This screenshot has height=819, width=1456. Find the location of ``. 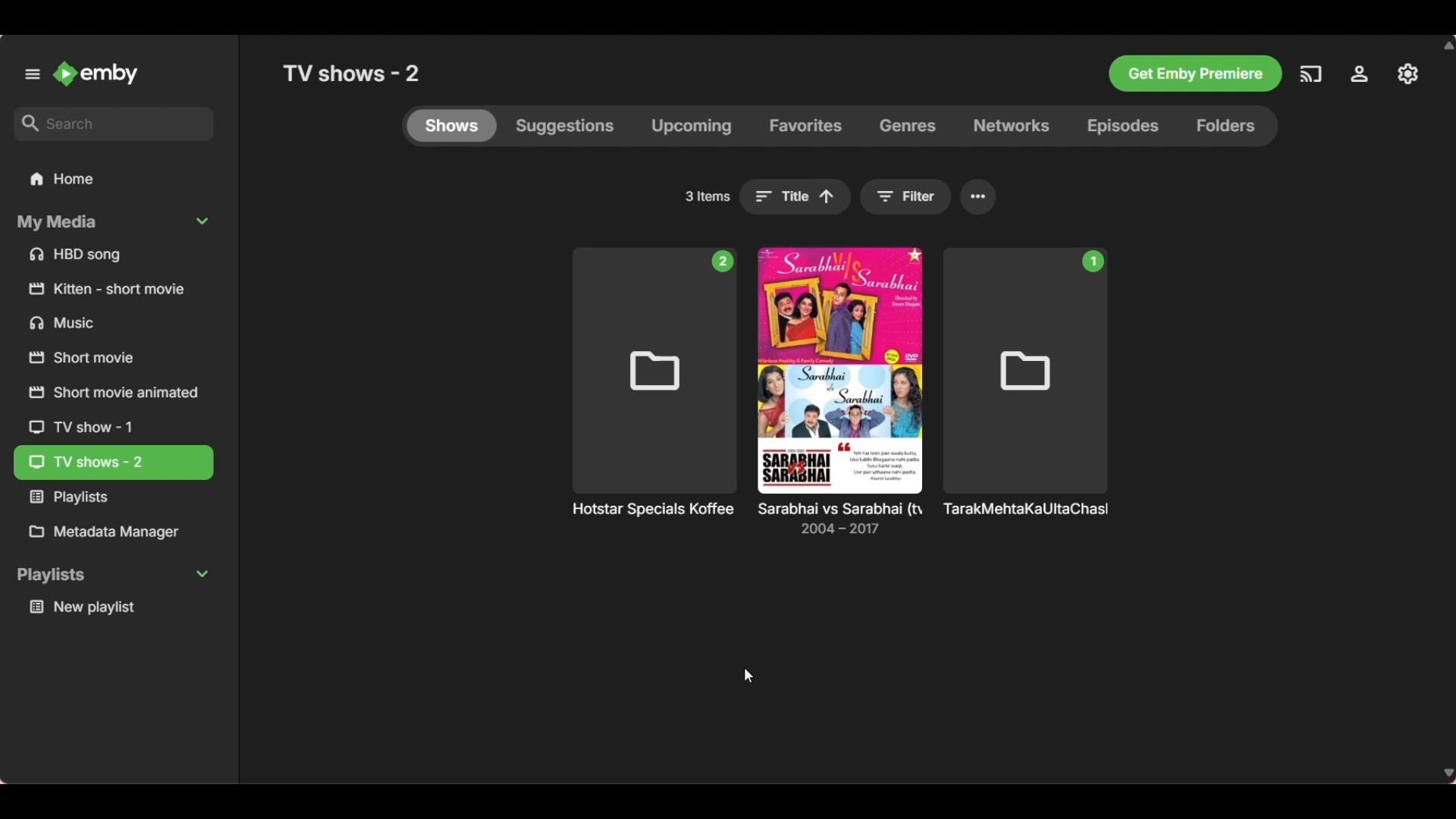

 is located at coordinates (103, 326).